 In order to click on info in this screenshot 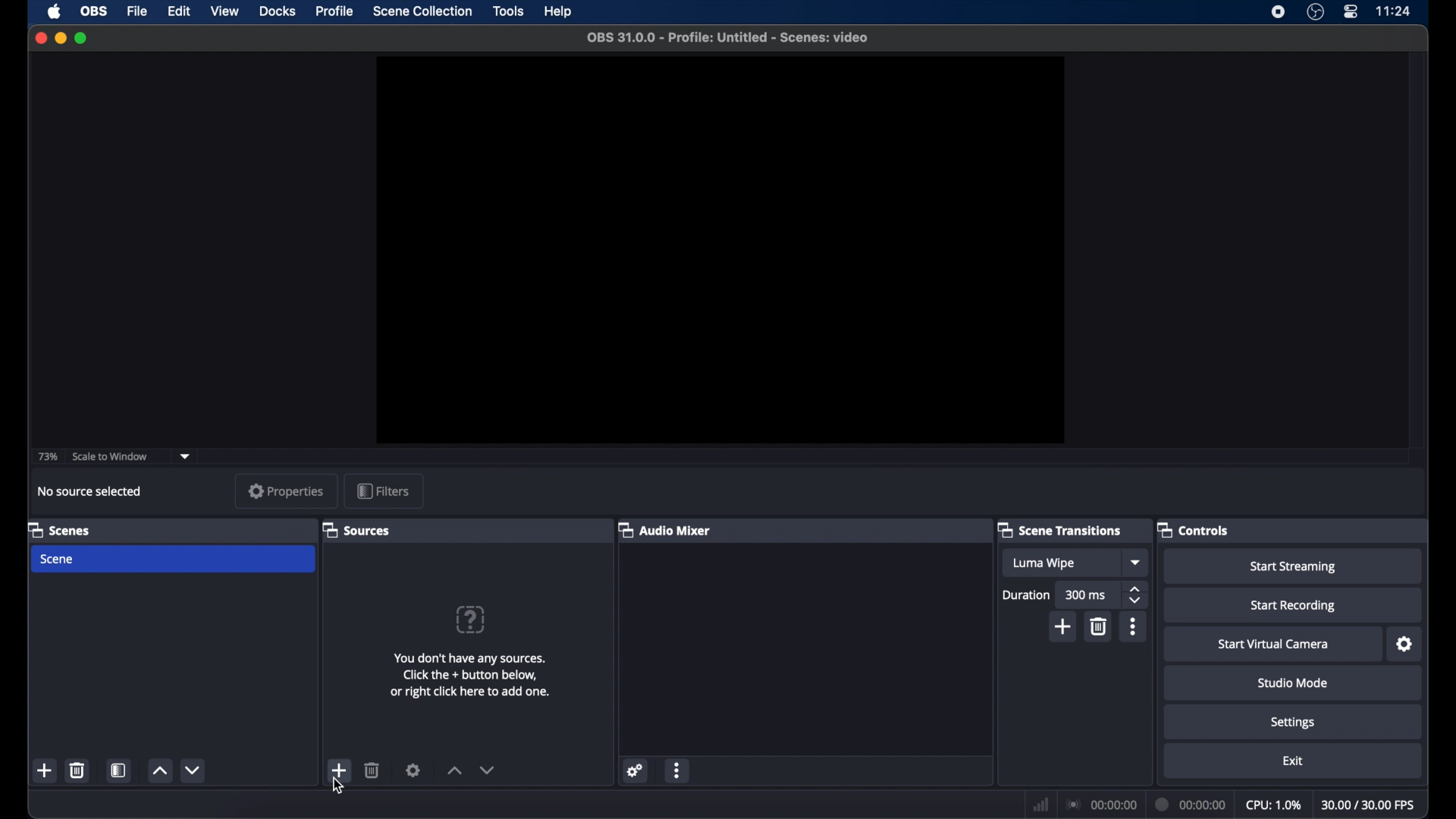, I will do `click(469, 676)`.